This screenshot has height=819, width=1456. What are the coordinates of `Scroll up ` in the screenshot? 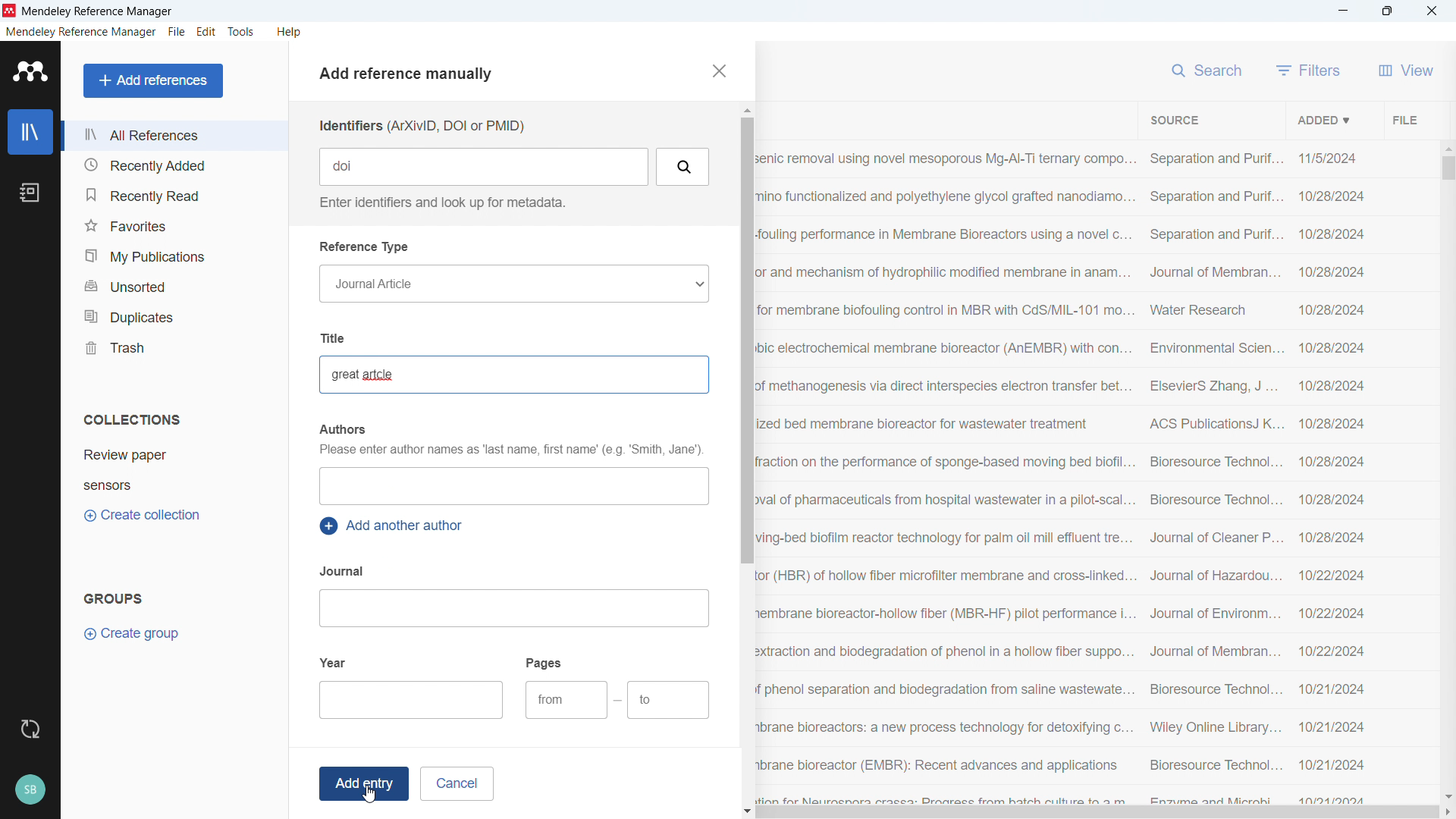 It's located at (1447, 147).